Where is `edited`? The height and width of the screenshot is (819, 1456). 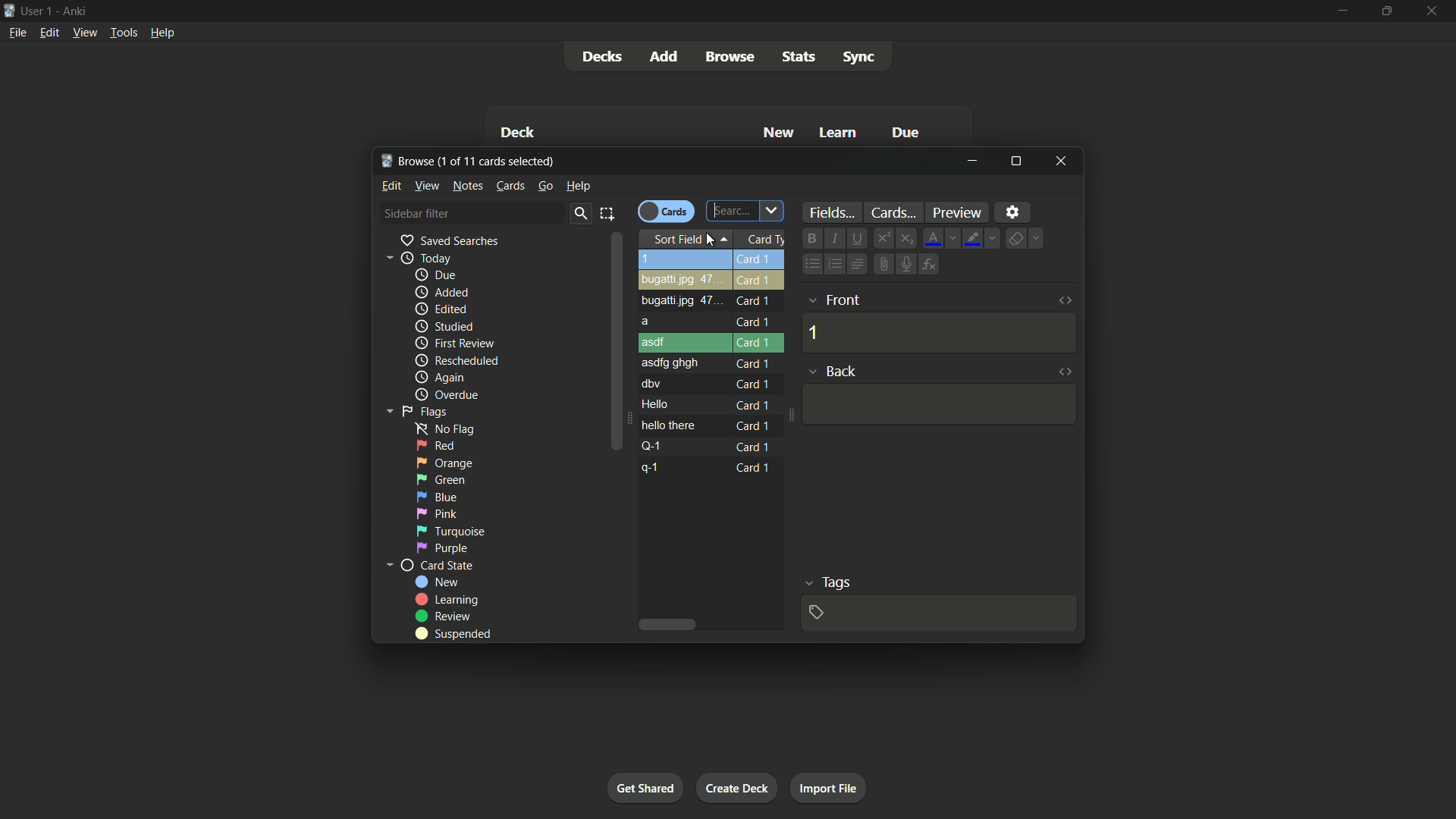
edited is located at coordinates (440, 309).